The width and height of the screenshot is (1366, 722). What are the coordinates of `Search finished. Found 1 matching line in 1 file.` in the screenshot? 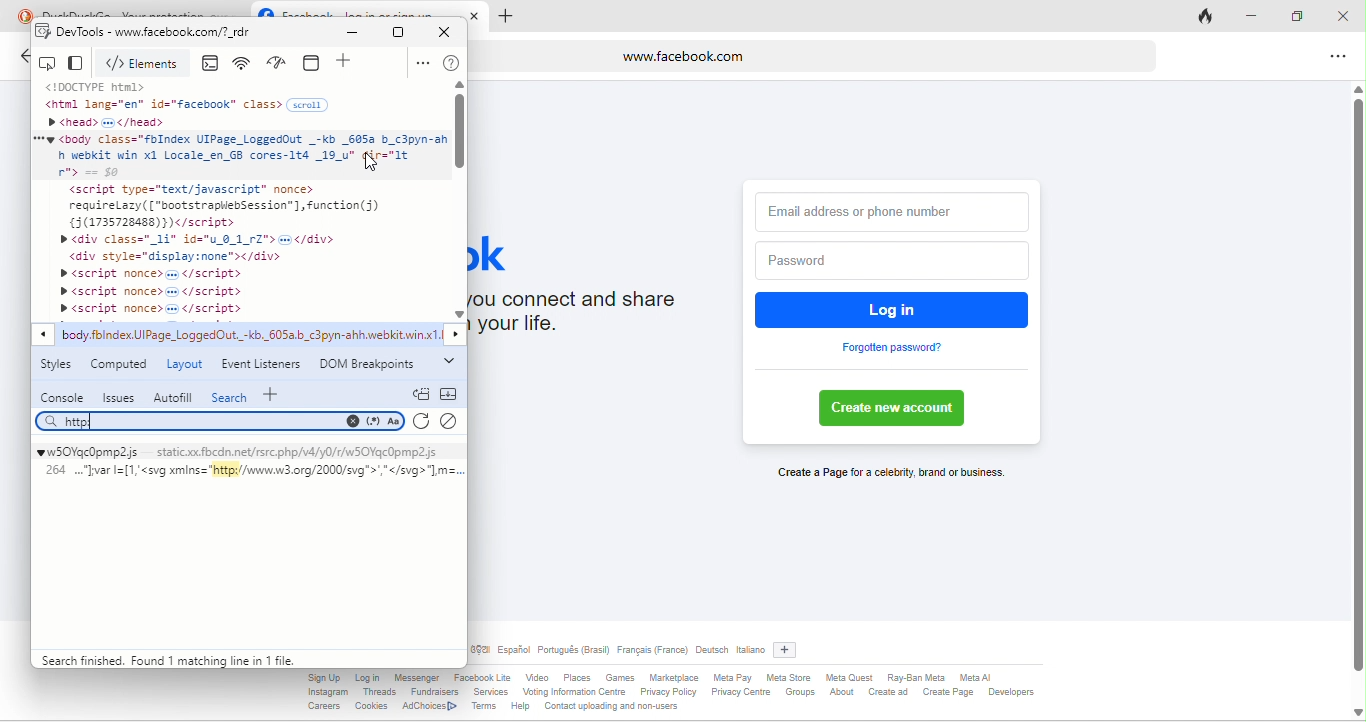 It's located at (163, 658).